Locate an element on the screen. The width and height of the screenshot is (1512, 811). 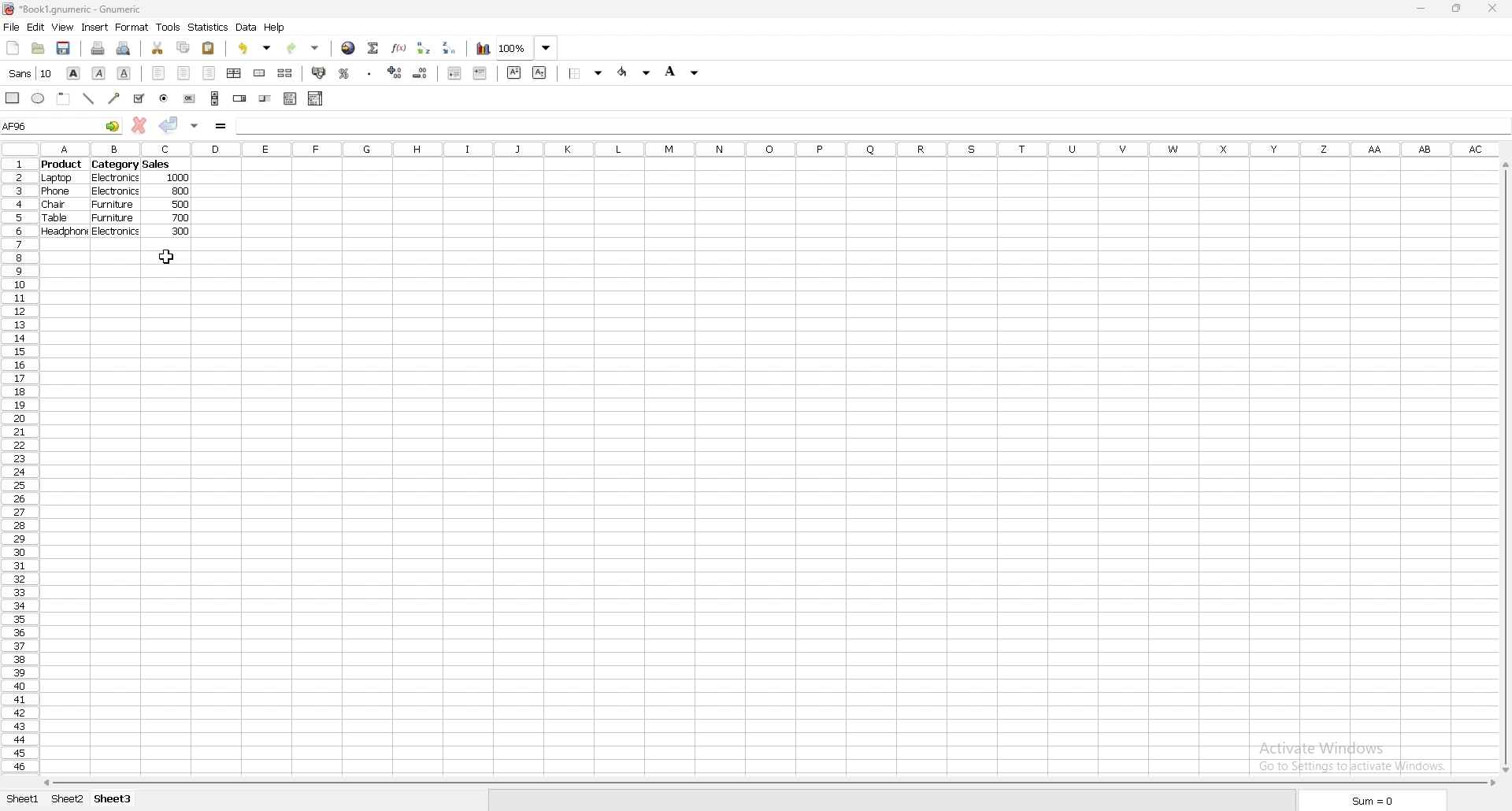
accounting is located at coordinates (320, 72).